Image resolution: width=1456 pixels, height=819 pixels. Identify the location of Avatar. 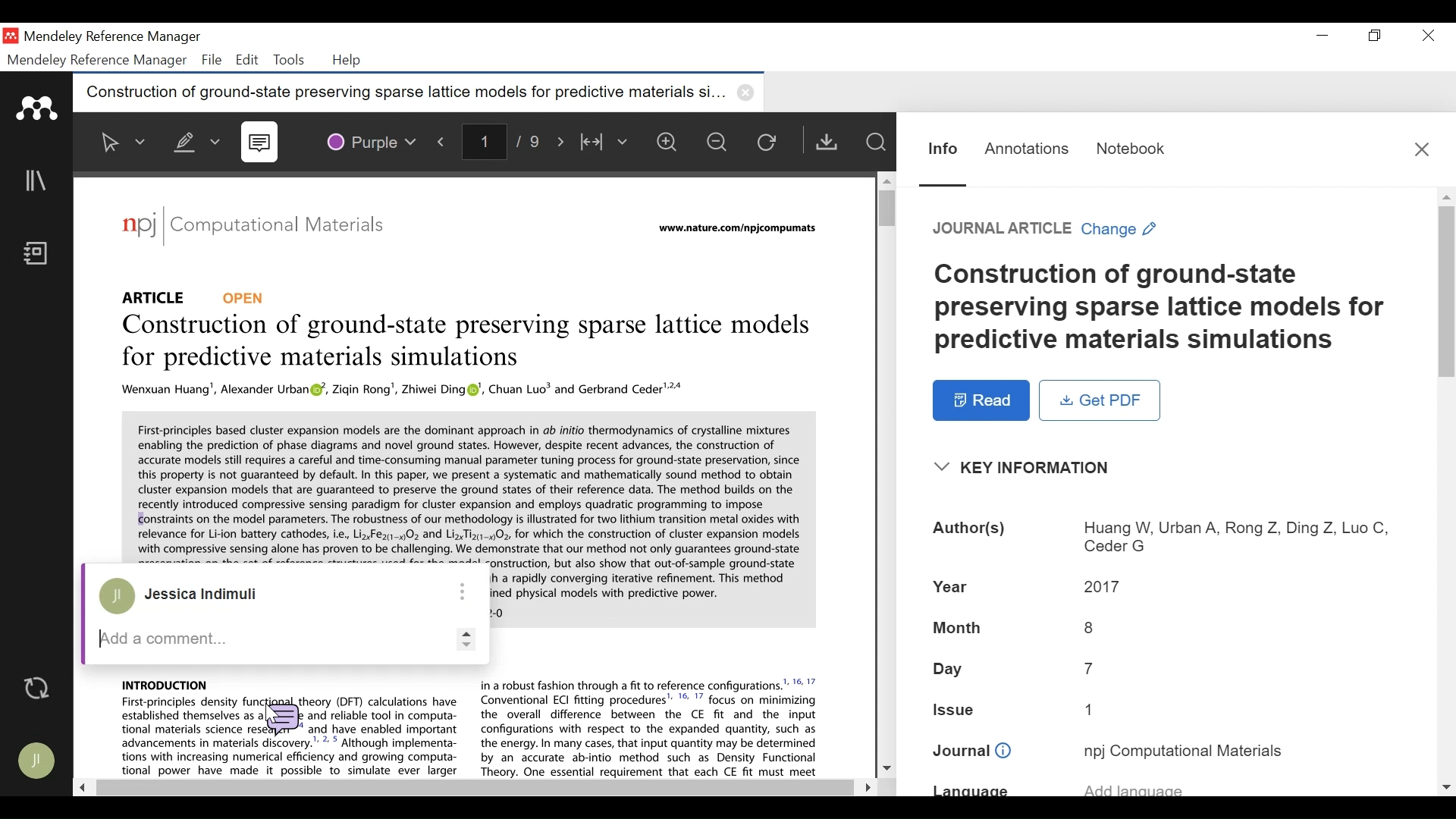
(39, 762).